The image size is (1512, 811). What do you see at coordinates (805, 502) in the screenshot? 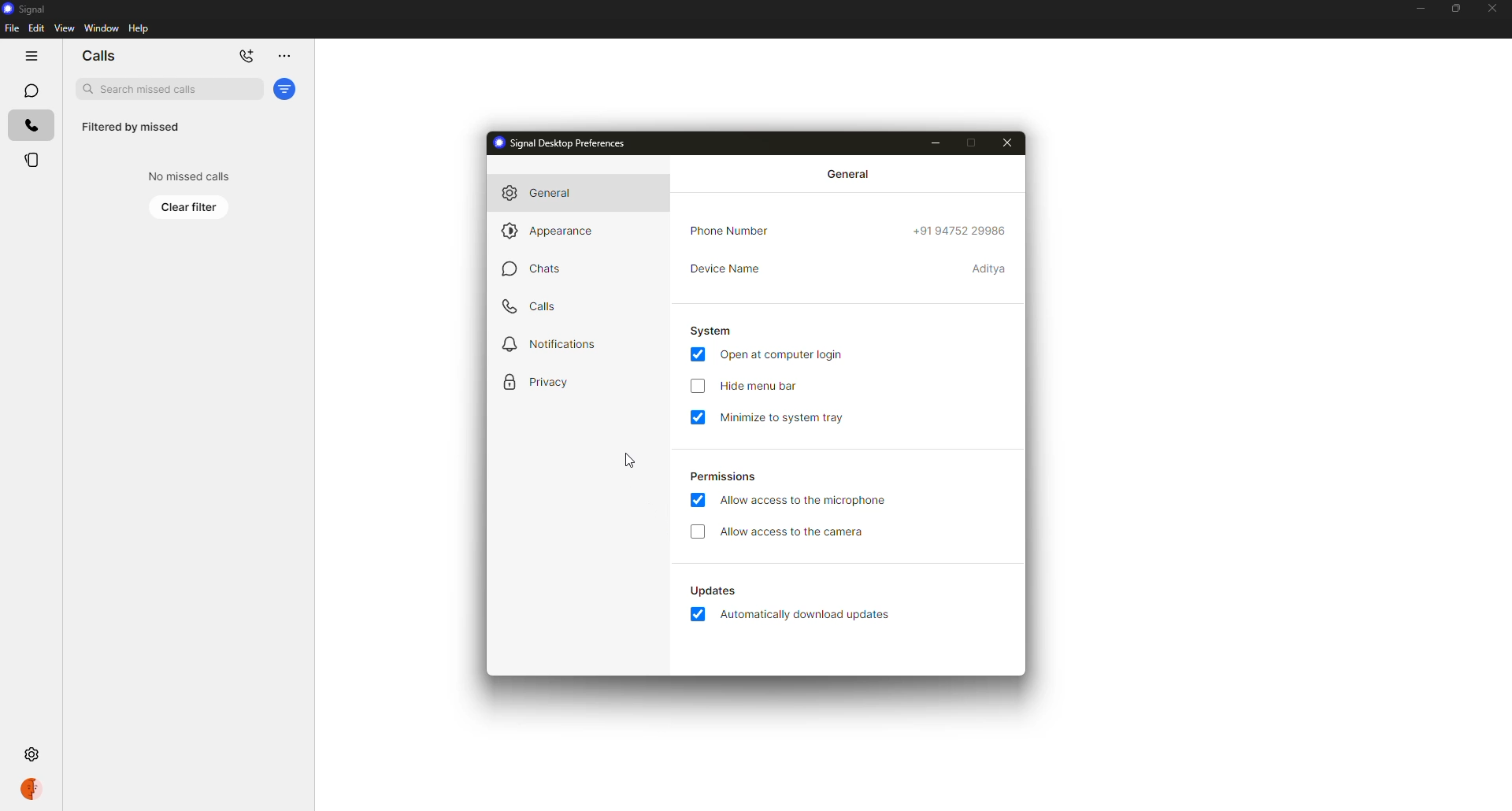
I see `allow access to microphone` at bounding box center [805, 502].